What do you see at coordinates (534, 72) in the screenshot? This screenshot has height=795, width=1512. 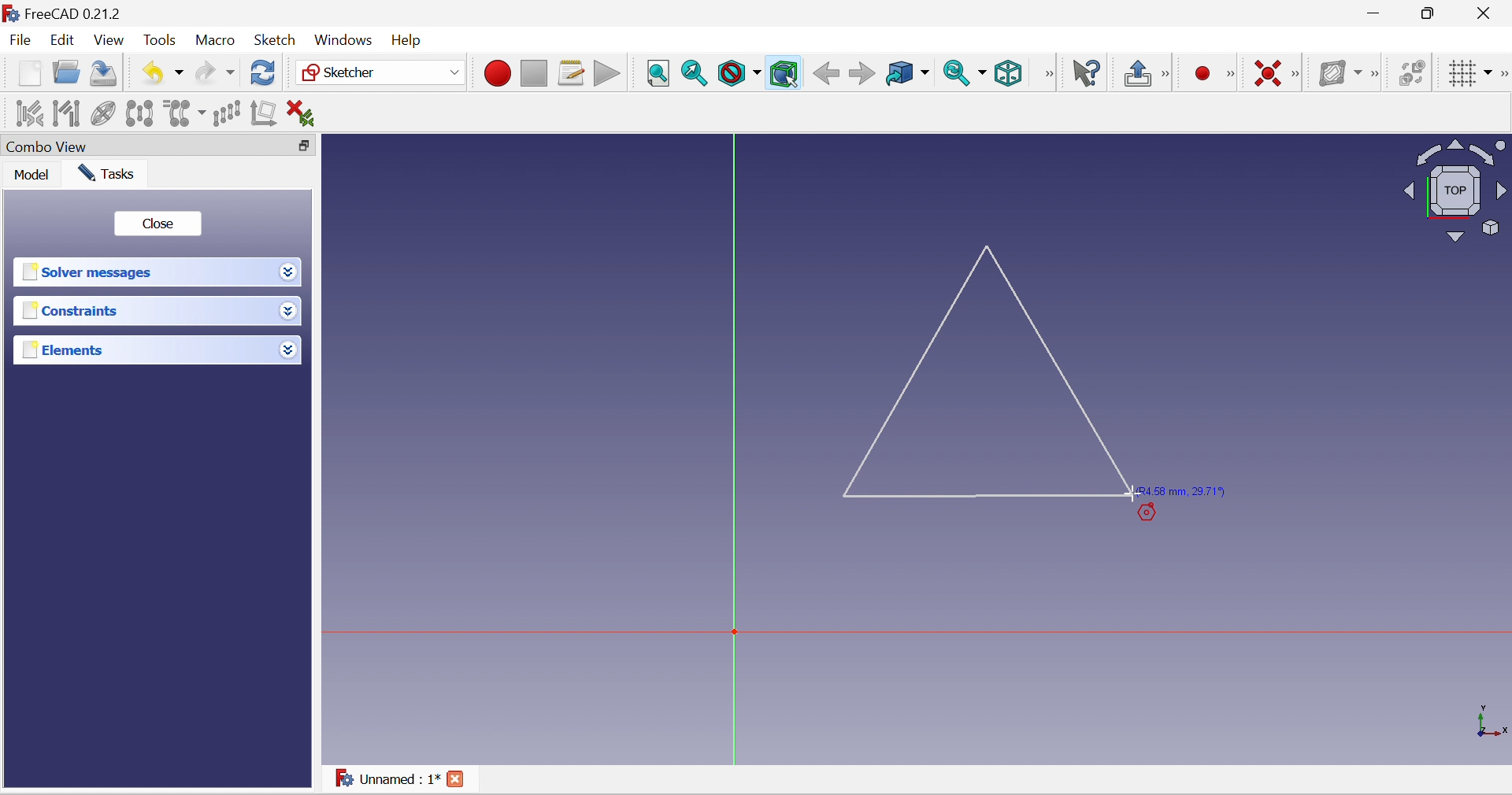 I see `Stop macro recording` at bounding box center [534, 72].